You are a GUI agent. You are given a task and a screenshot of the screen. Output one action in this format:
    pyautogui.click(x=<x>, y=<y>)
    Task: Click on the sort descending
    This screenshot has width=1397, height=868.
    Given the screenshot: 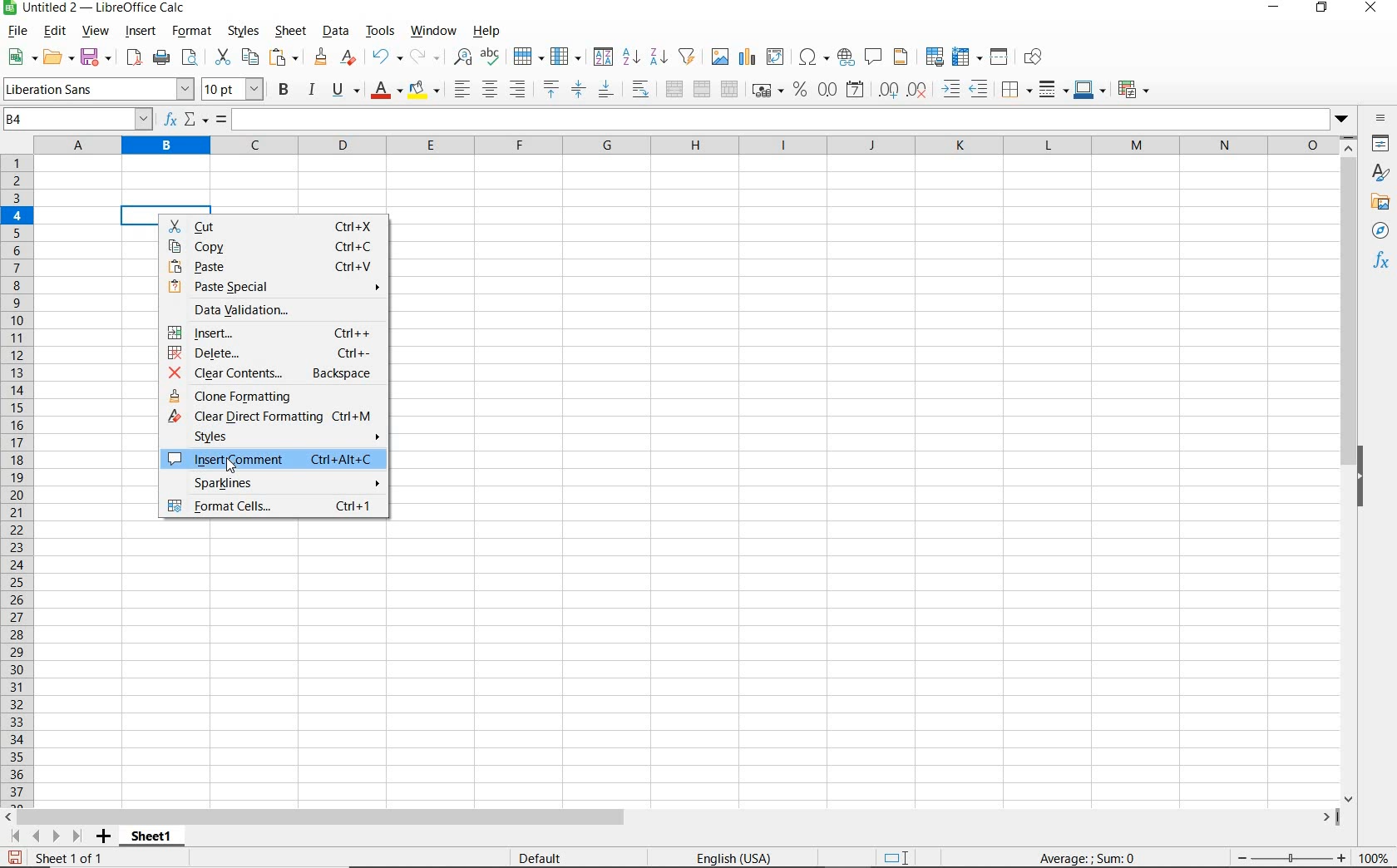 What is the action you would take?
    pyautogui.click(x=660, y=59)
    